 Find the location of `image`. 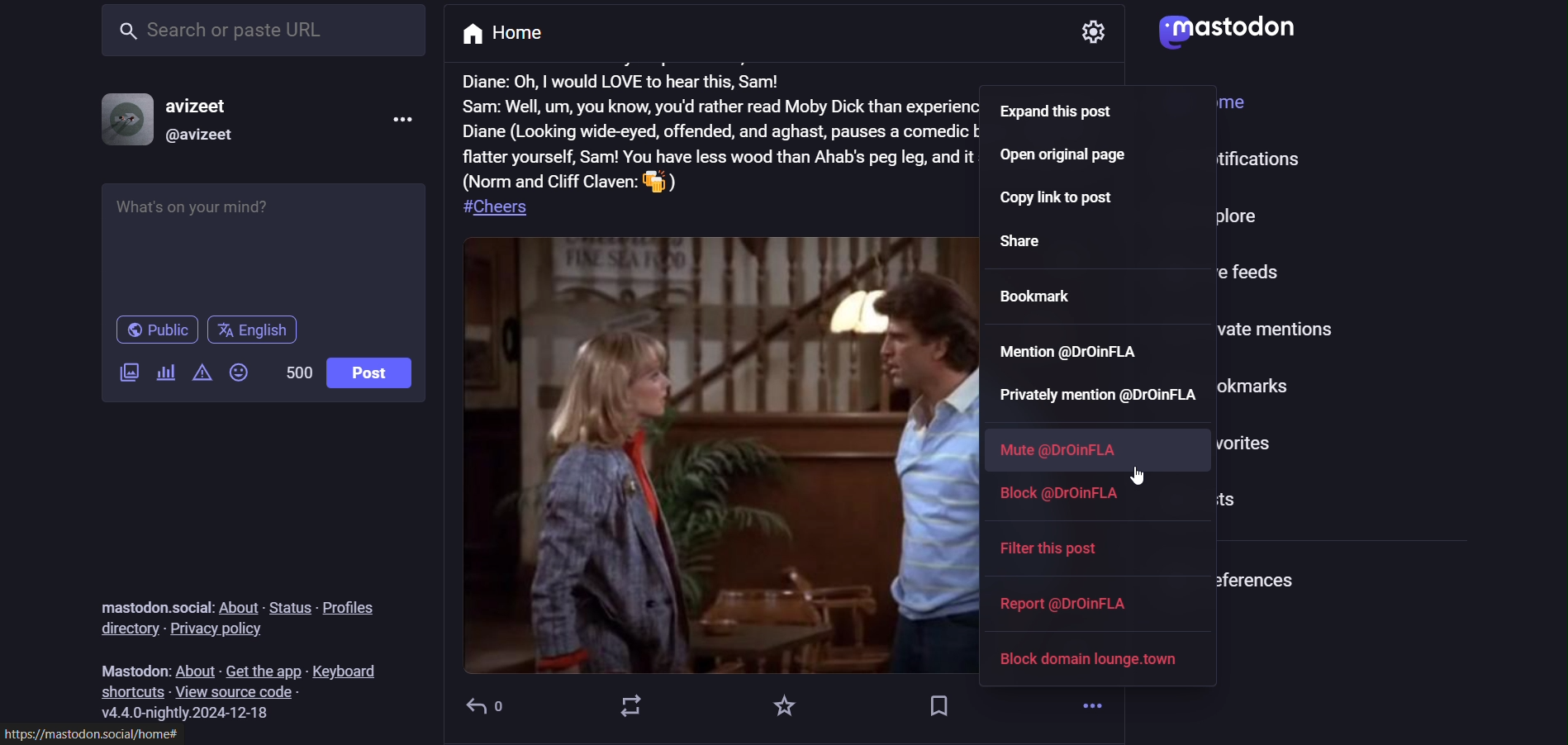

image is located at coordinates (737, 458).